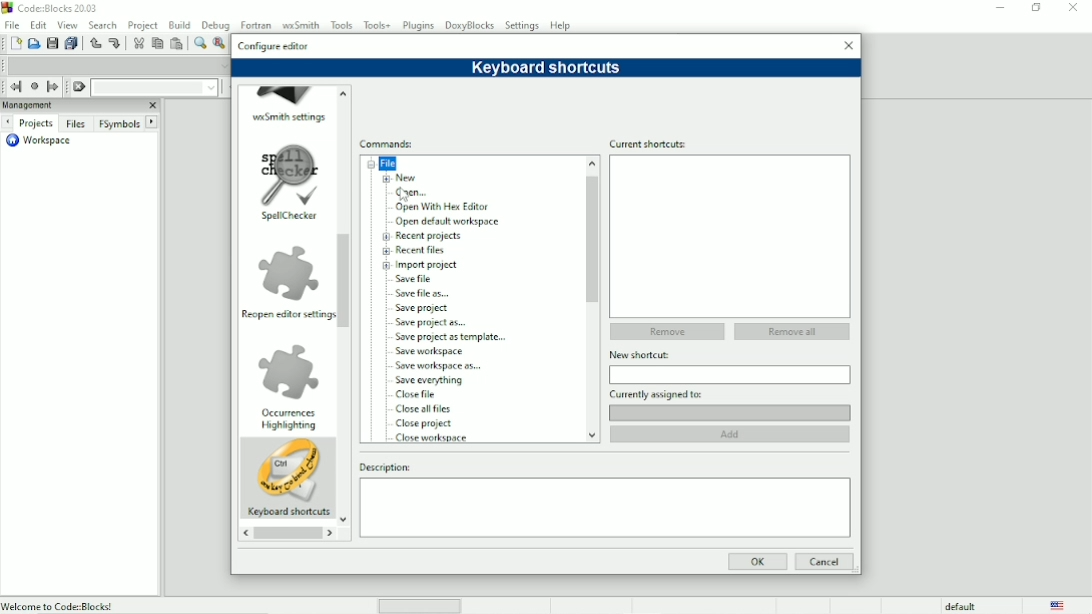  I want to click on default, so click(962, 606).